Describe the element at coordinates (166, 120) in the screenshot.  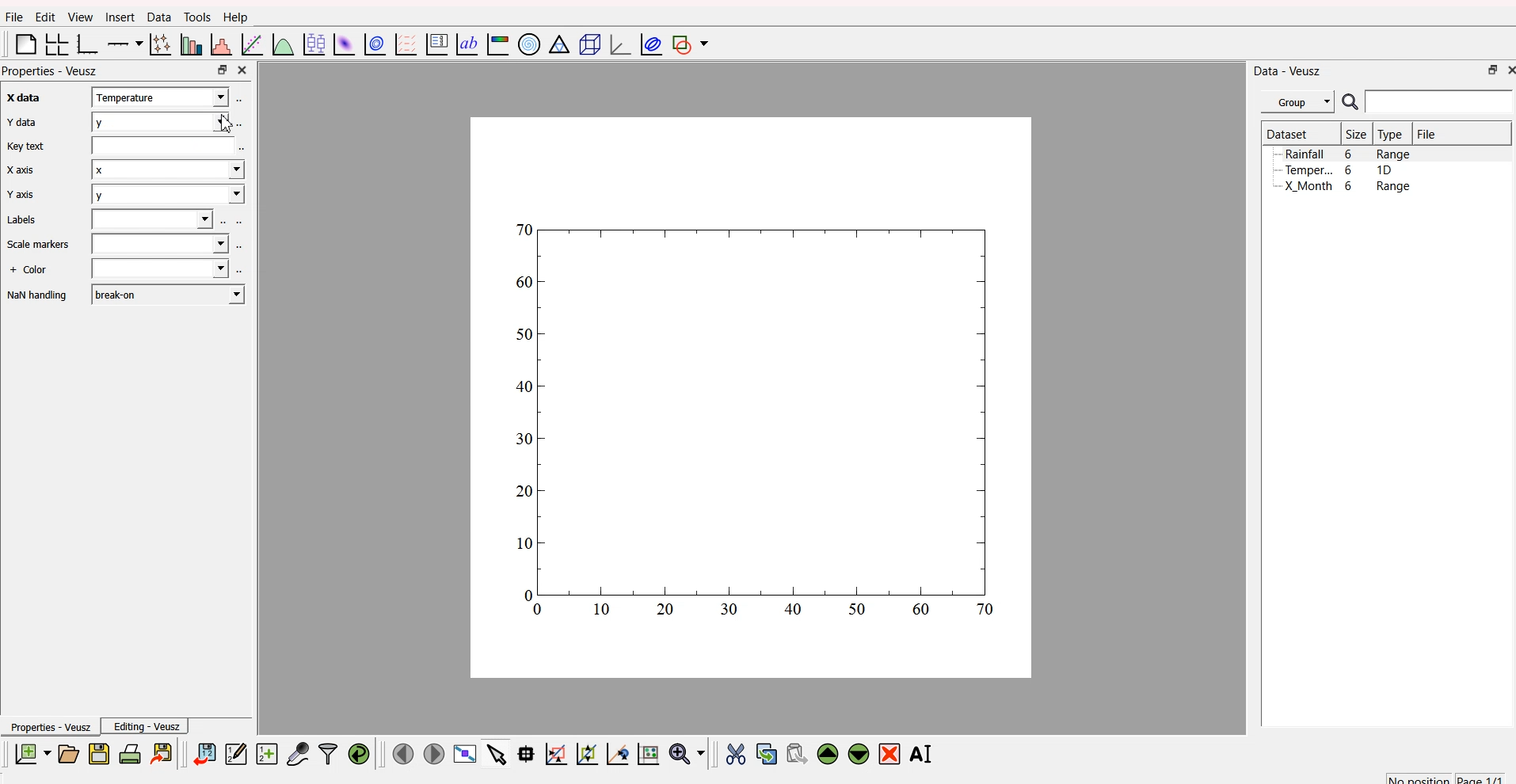
I see `y` at that location.